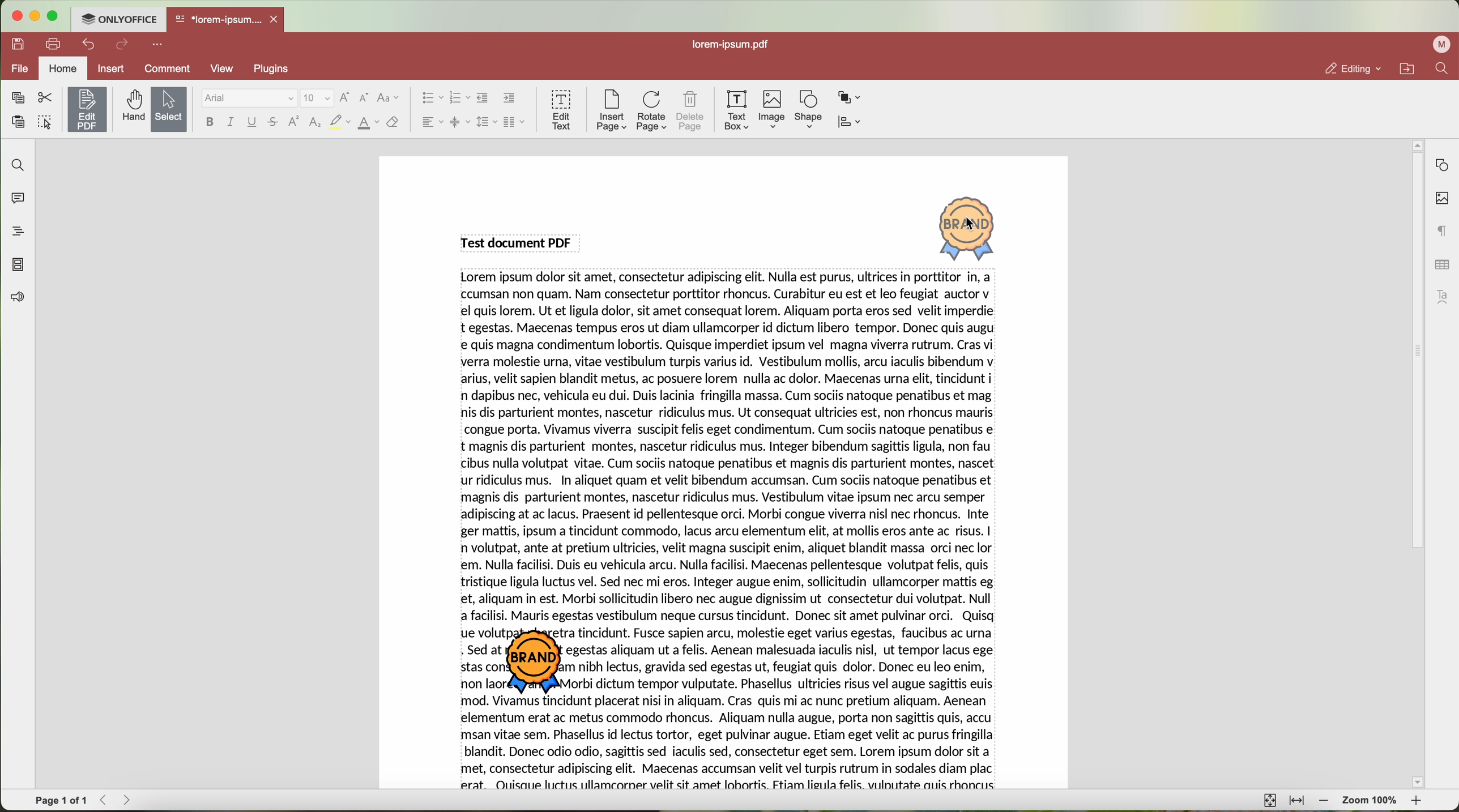 This screenshot has width=1459, height=812. What do you see at coordinates (429, 99) in the screenshot?
I see `bullet list` at bounding box center [429, 99].